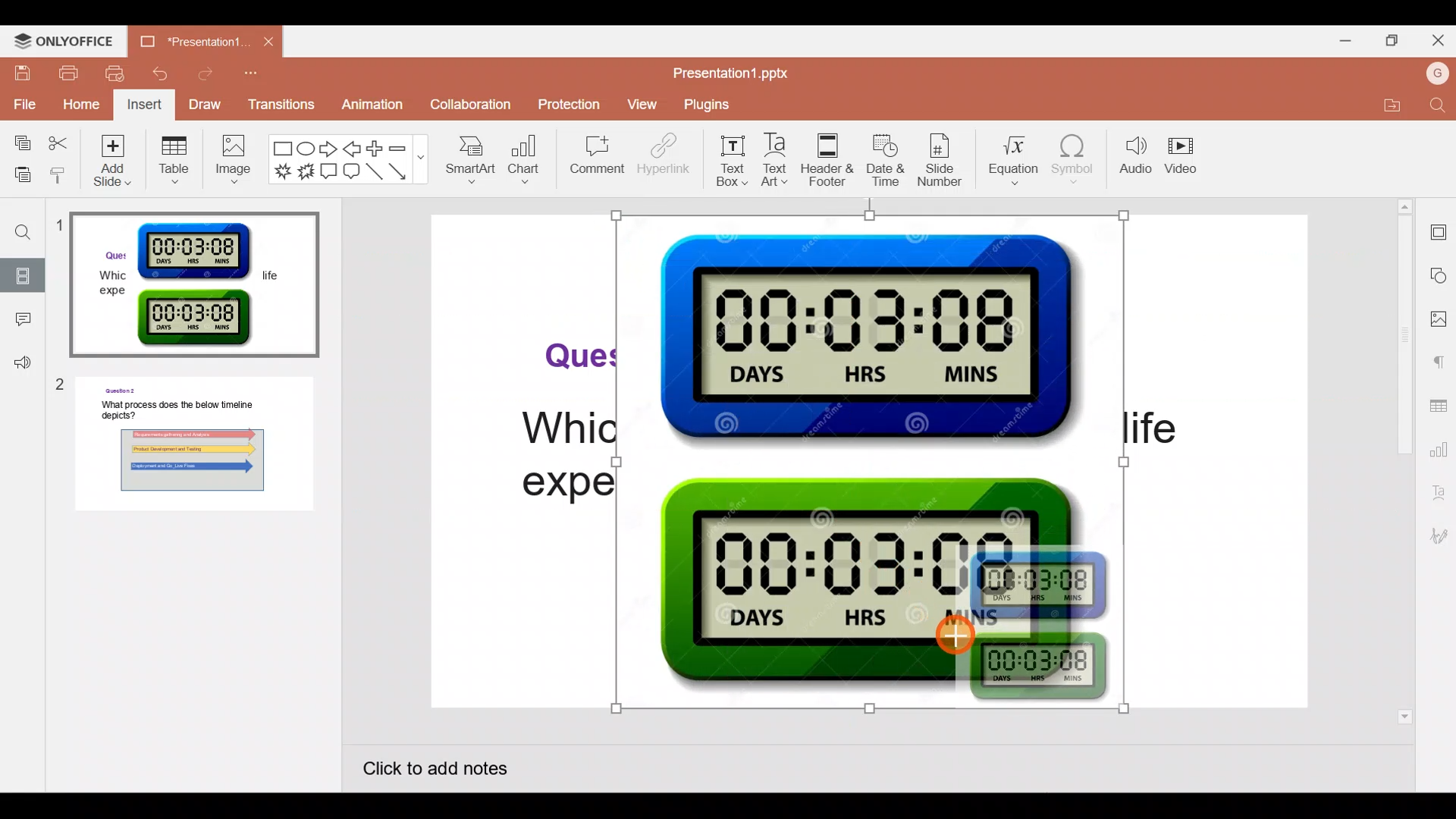 The width and height of the screenshot is (1456, 819). I want to click on Line, so click(374, 172).